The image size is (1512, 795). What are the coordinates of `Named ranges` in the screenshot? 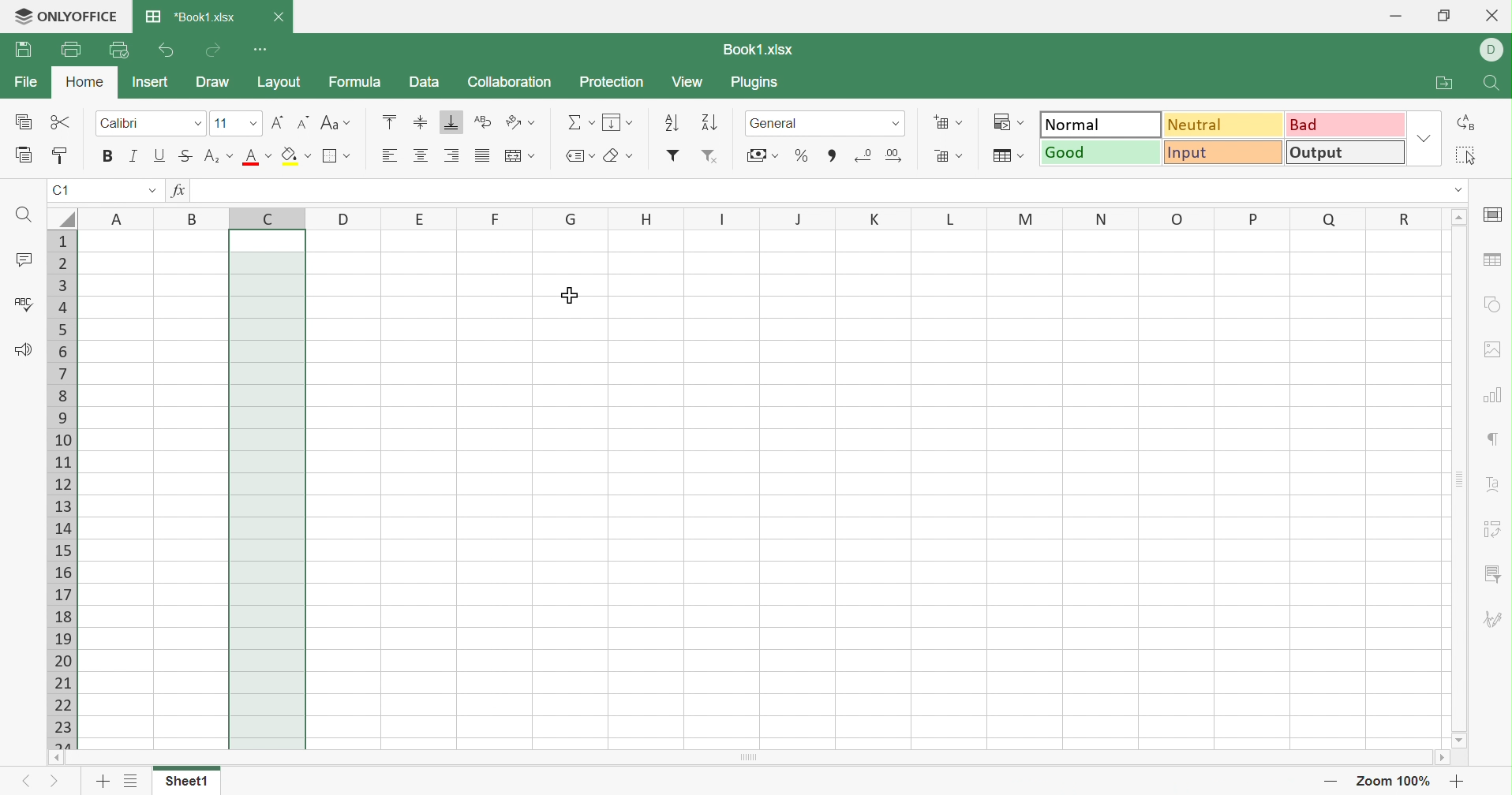 It's located at (572, 155).